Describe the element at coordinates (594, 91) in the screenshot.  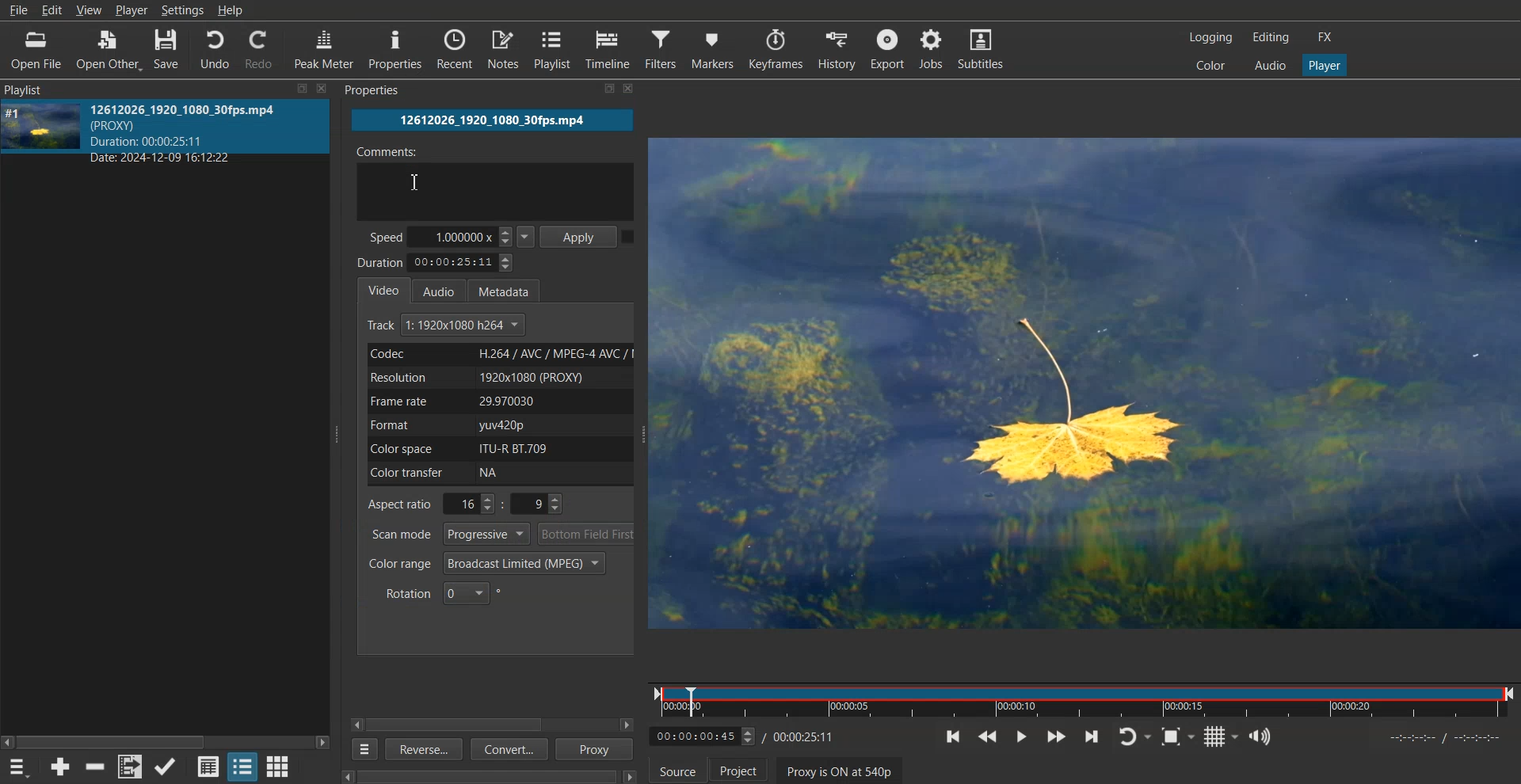
I see `resize` at that location.